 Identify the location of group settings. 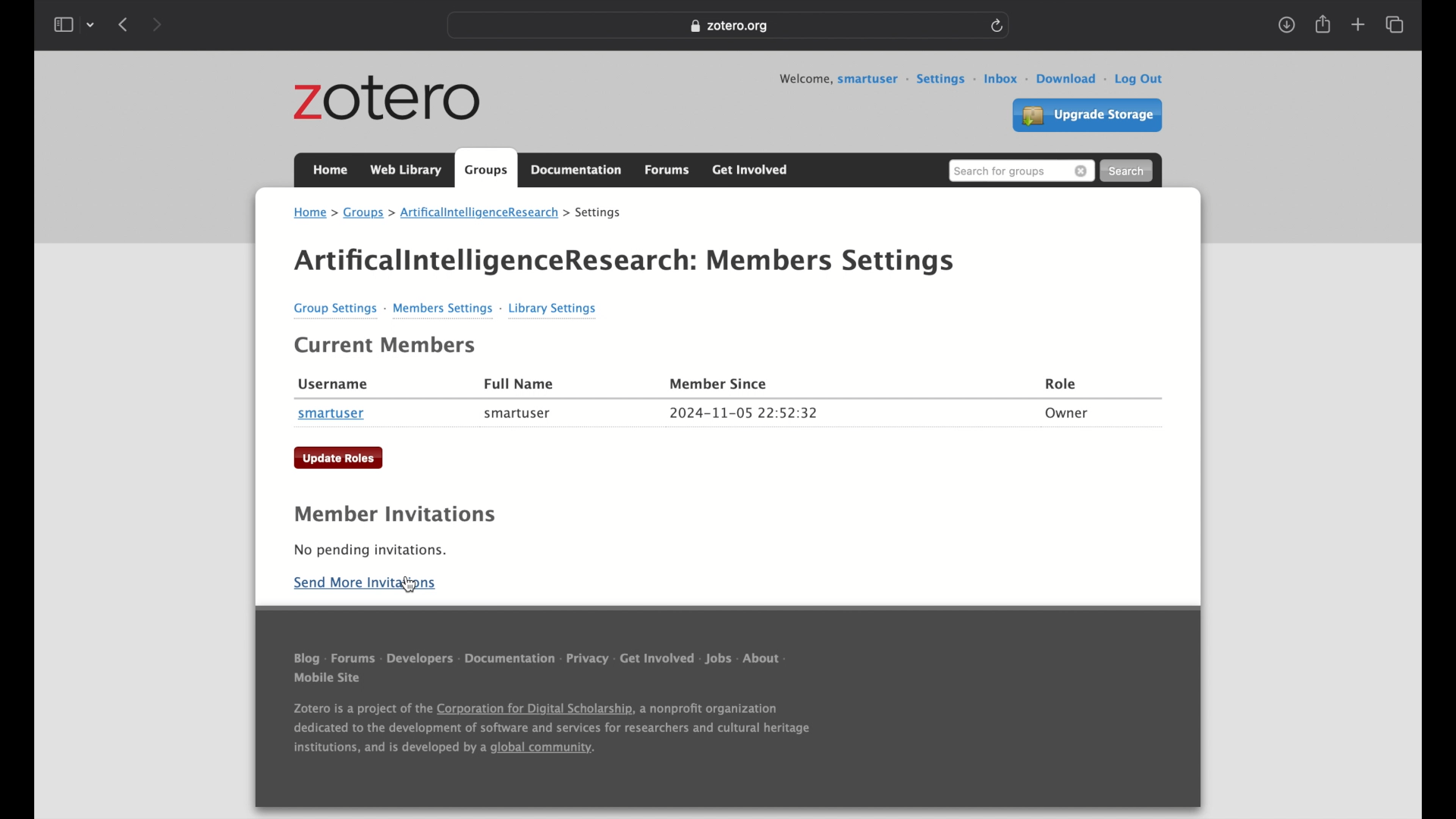
(337, 308).